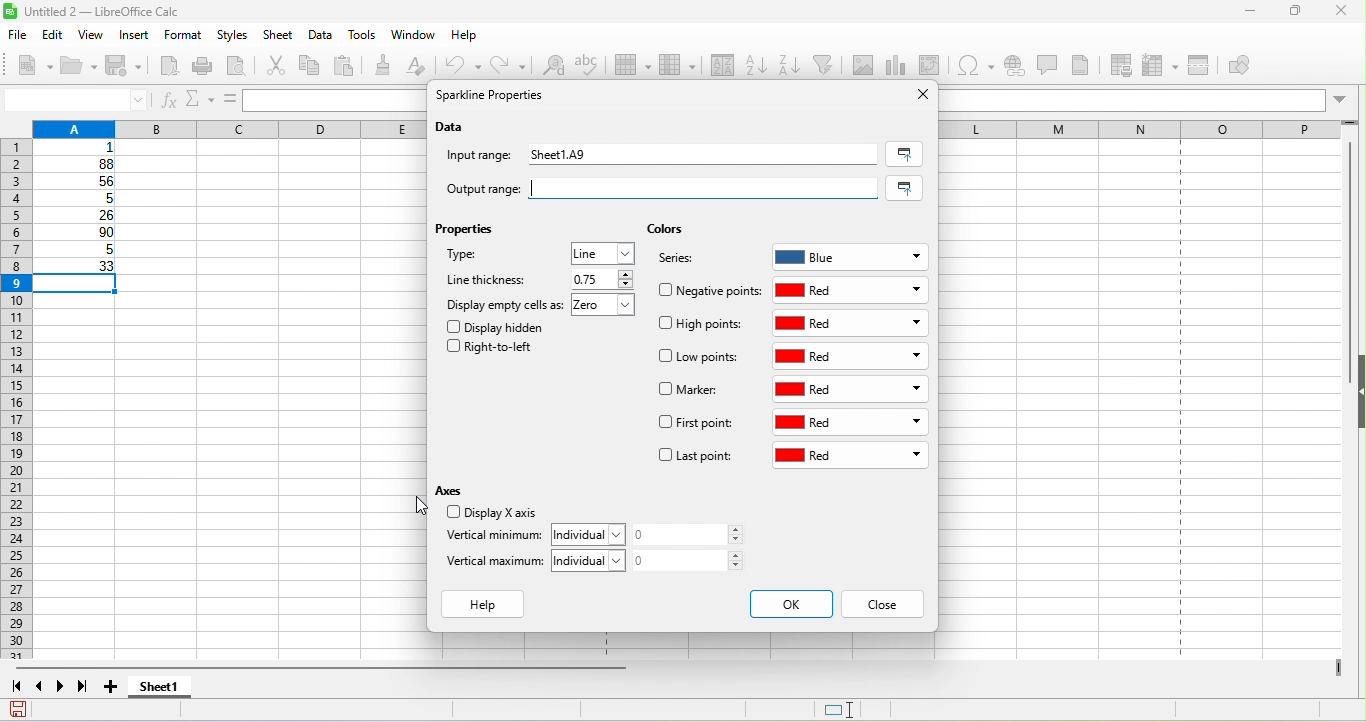  I want to click on output range, so click(474, 186).